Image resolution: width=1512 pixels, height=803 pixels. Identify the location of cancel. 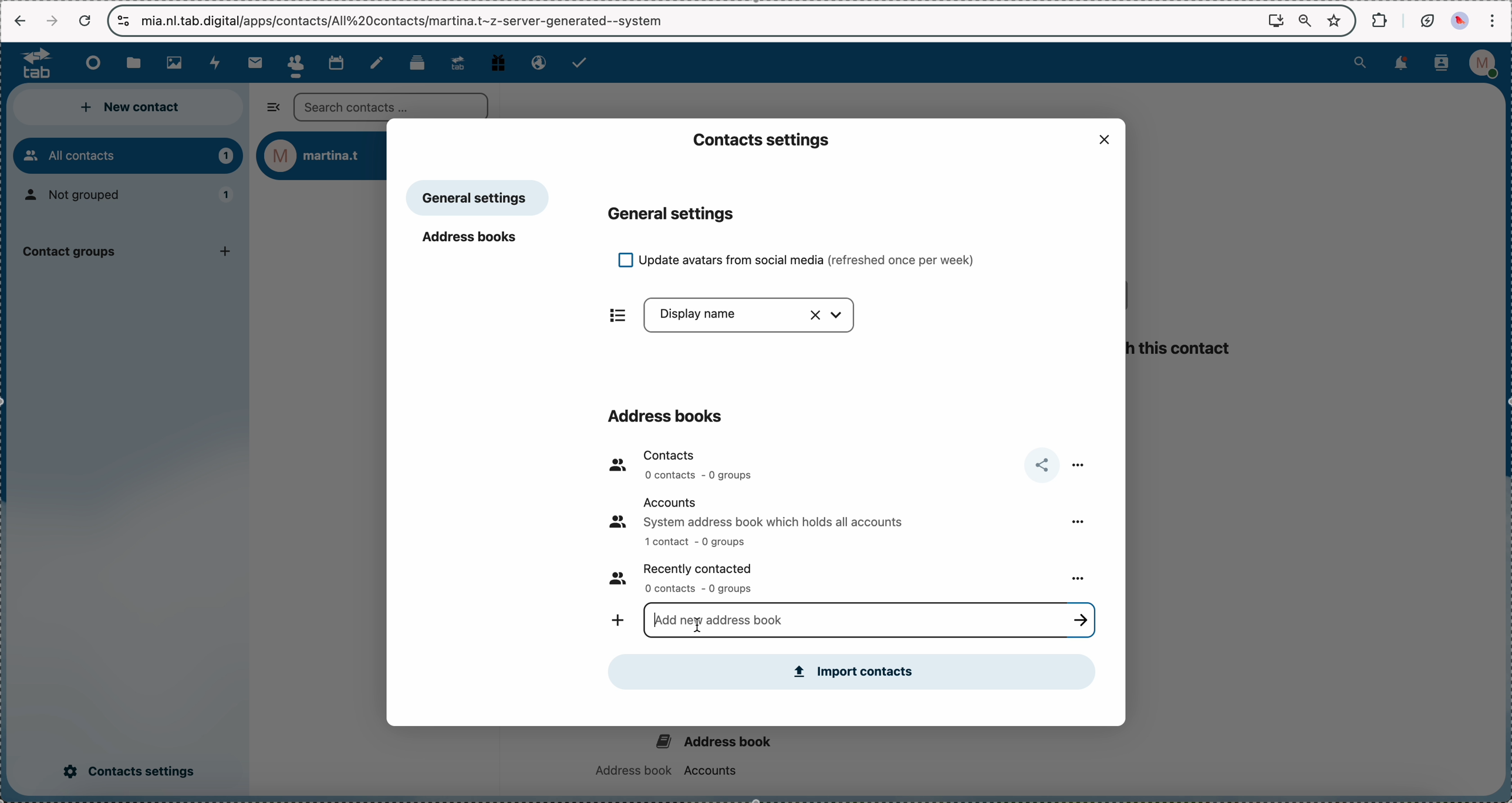
(86, 21).